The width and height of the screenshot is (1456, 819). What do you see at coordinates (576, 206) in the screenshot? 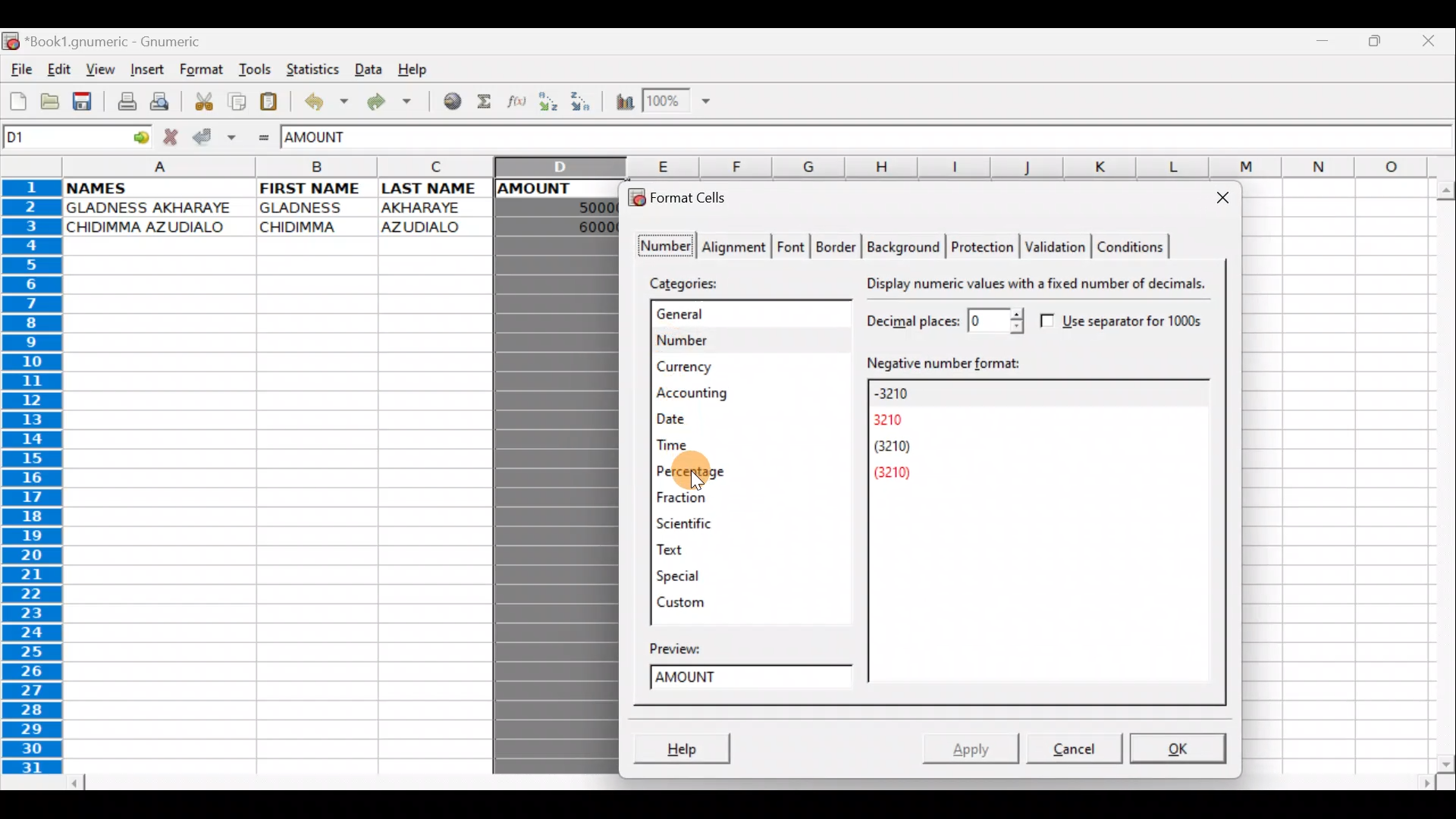
I see `50000` at bounding box center [576, 206].